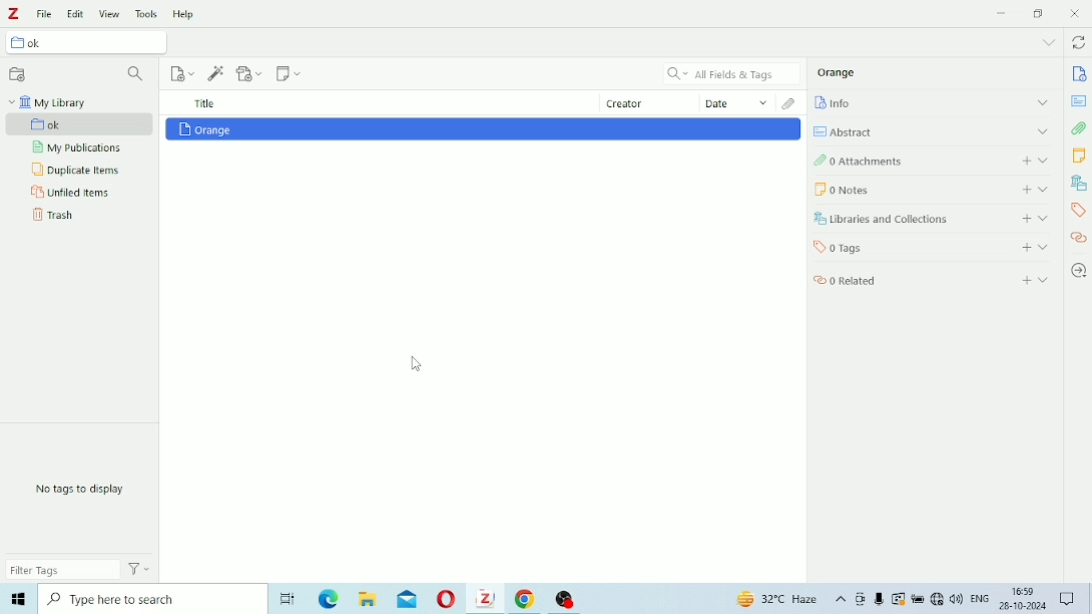 The height and width of the screenshot is (614, 1092). I want to click on Help, so click(186, 14).